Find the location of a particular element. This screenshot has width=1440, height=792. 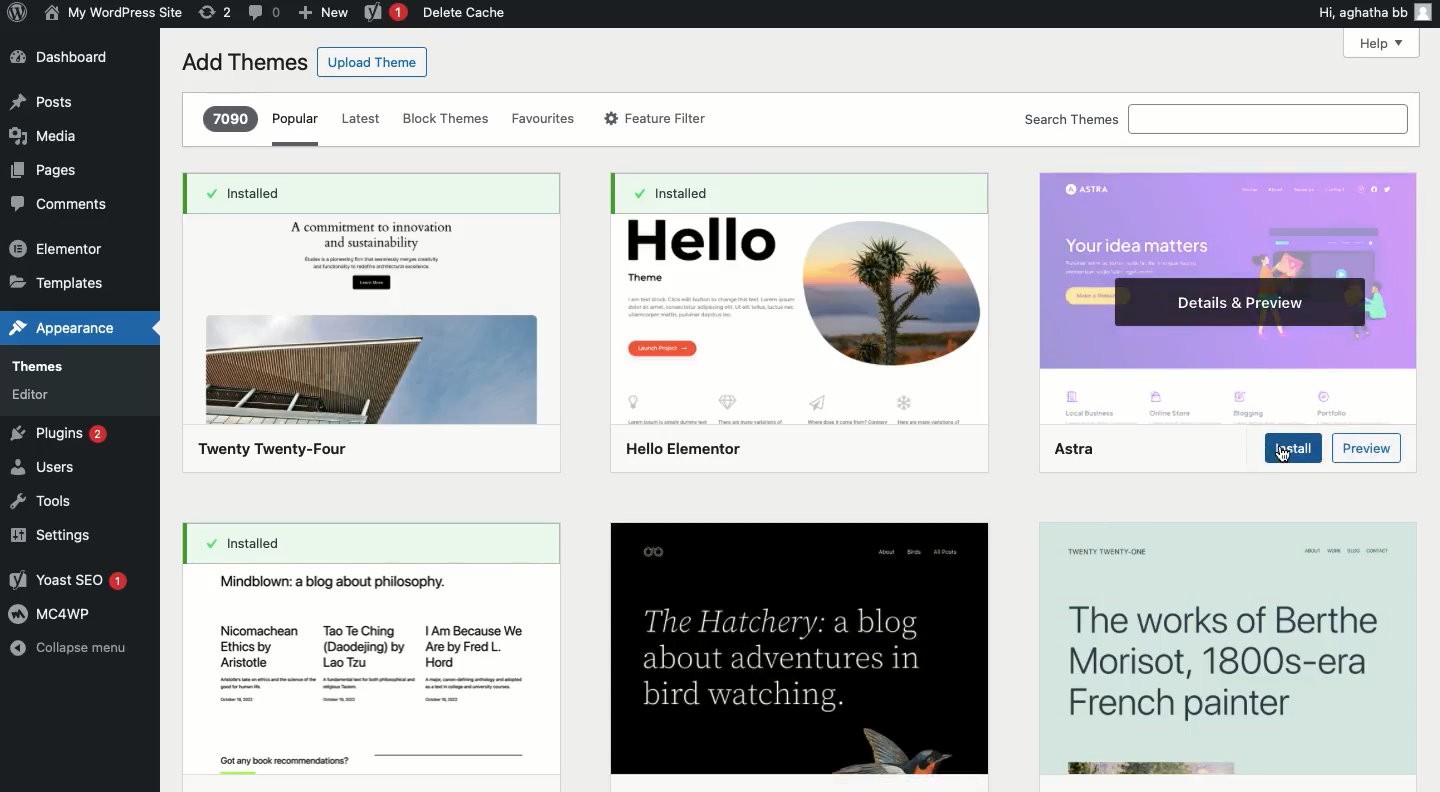

Settings is located at coordinates (51, 537).